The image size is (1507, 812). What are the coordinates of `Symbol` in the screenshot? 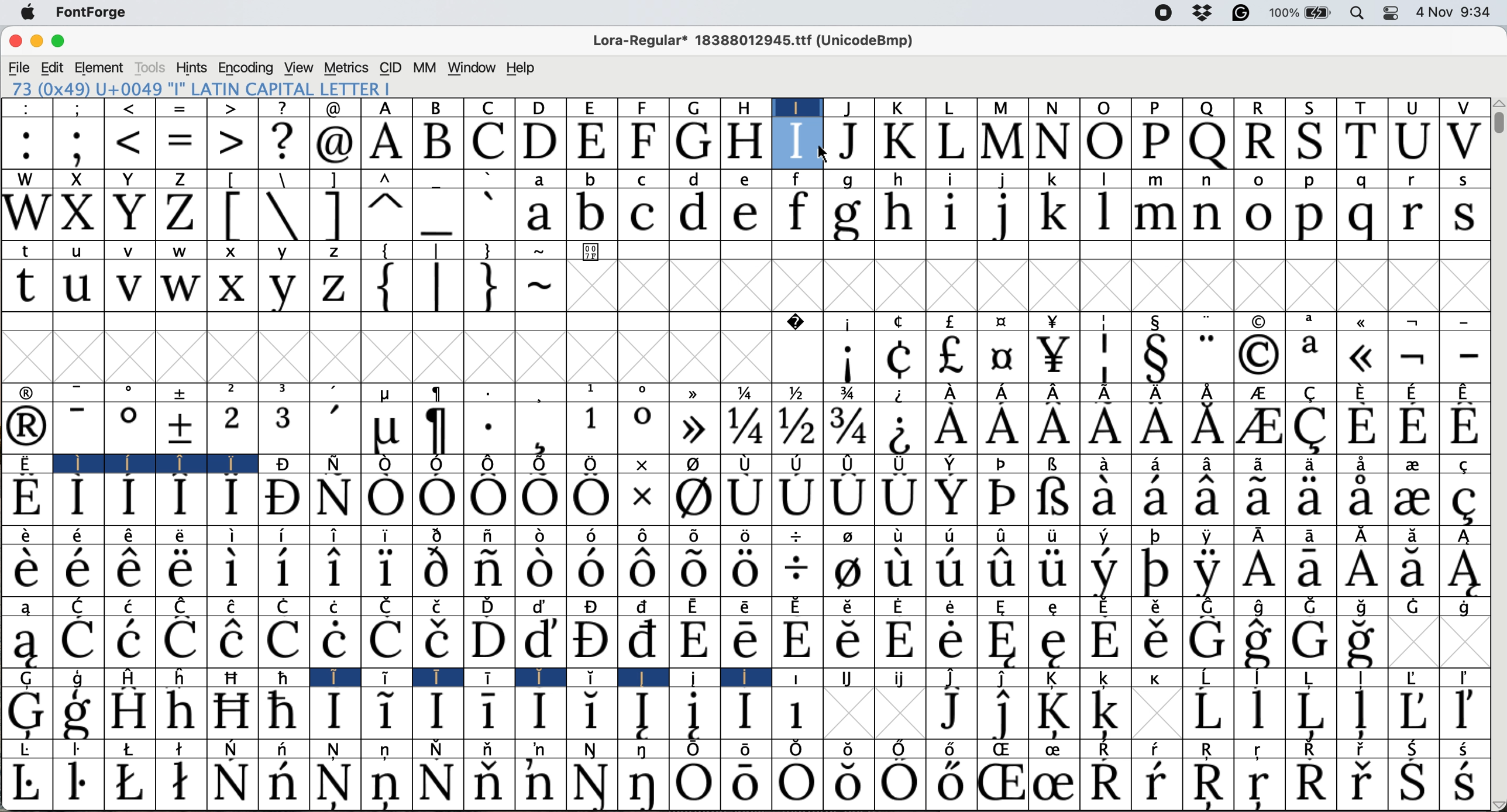 It's located at (1413, 500).